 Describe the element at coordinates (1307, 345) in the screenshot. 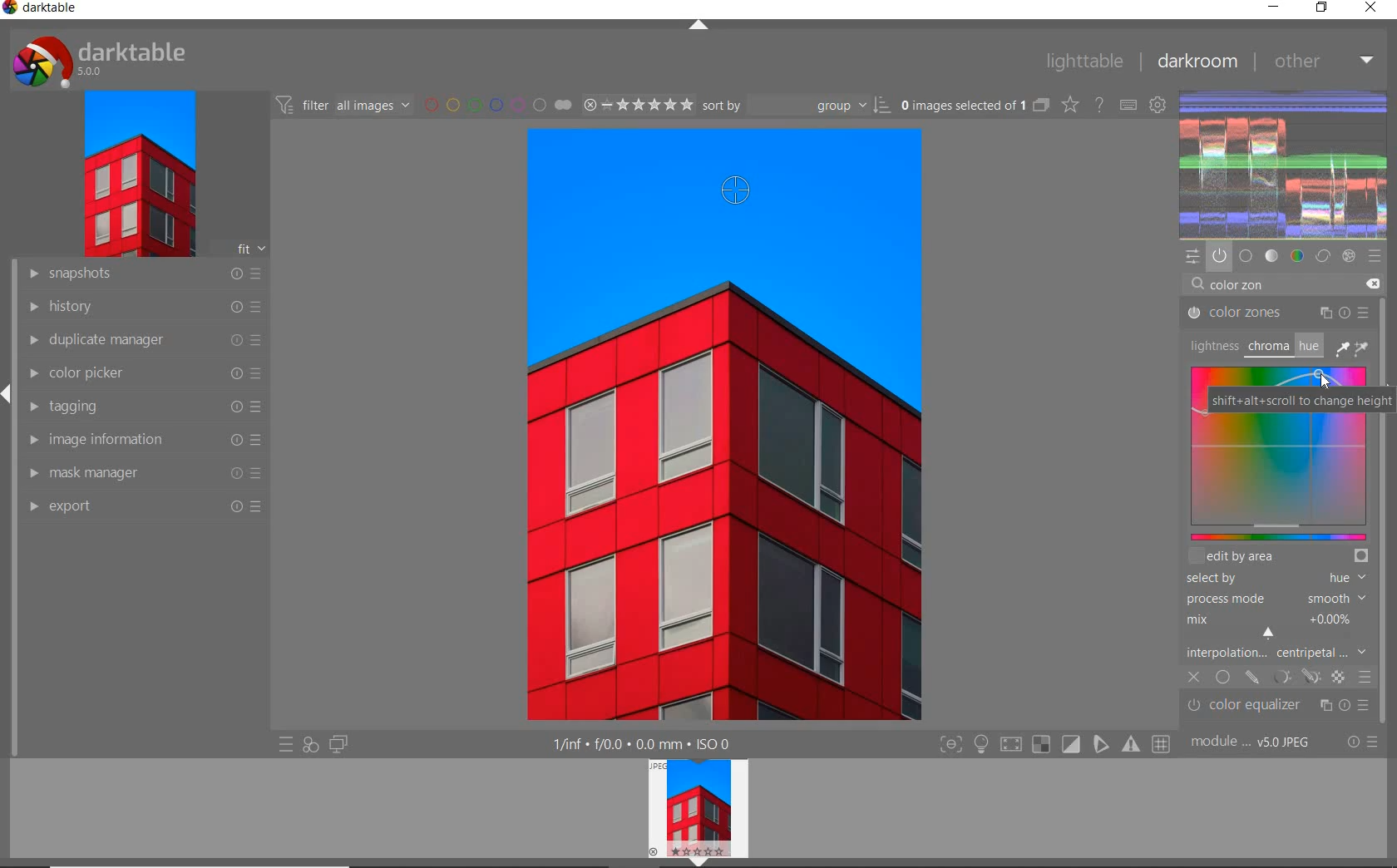

I see `HUE` at that location.